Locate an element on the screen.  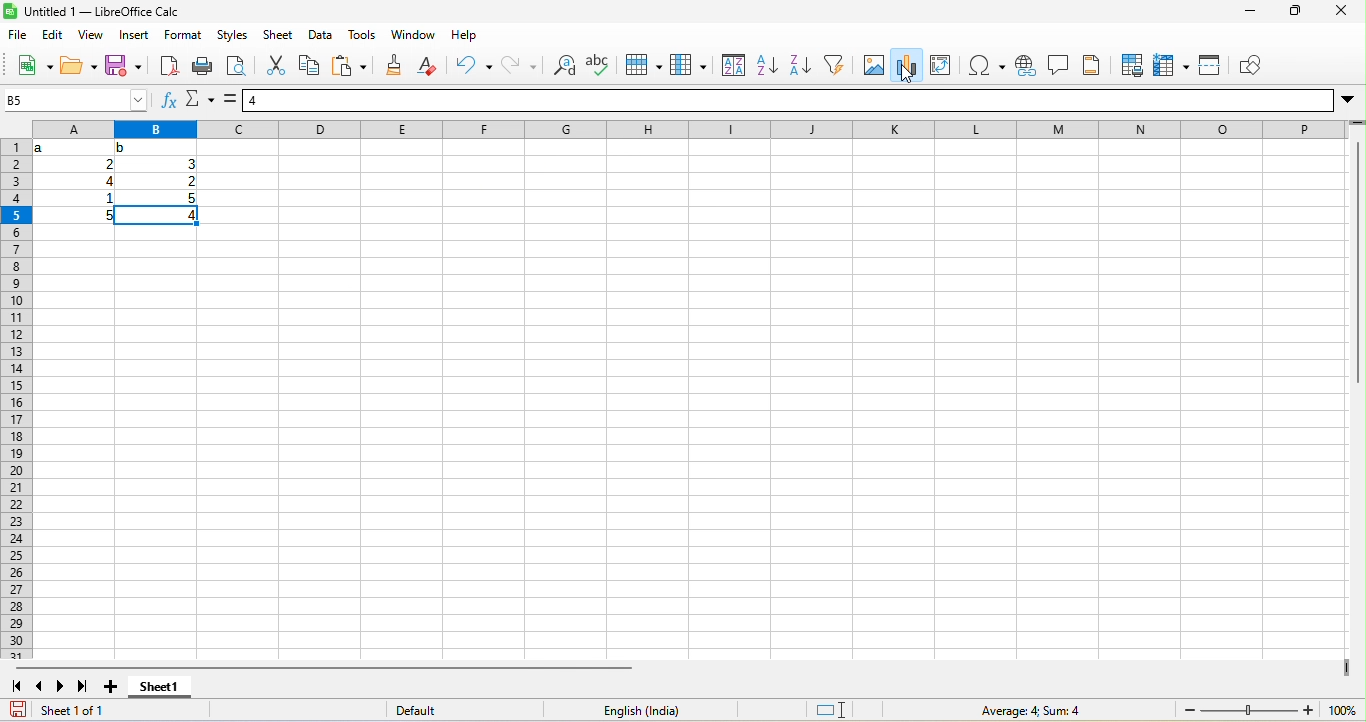
click to save the document is located at coordinates (18, 710).